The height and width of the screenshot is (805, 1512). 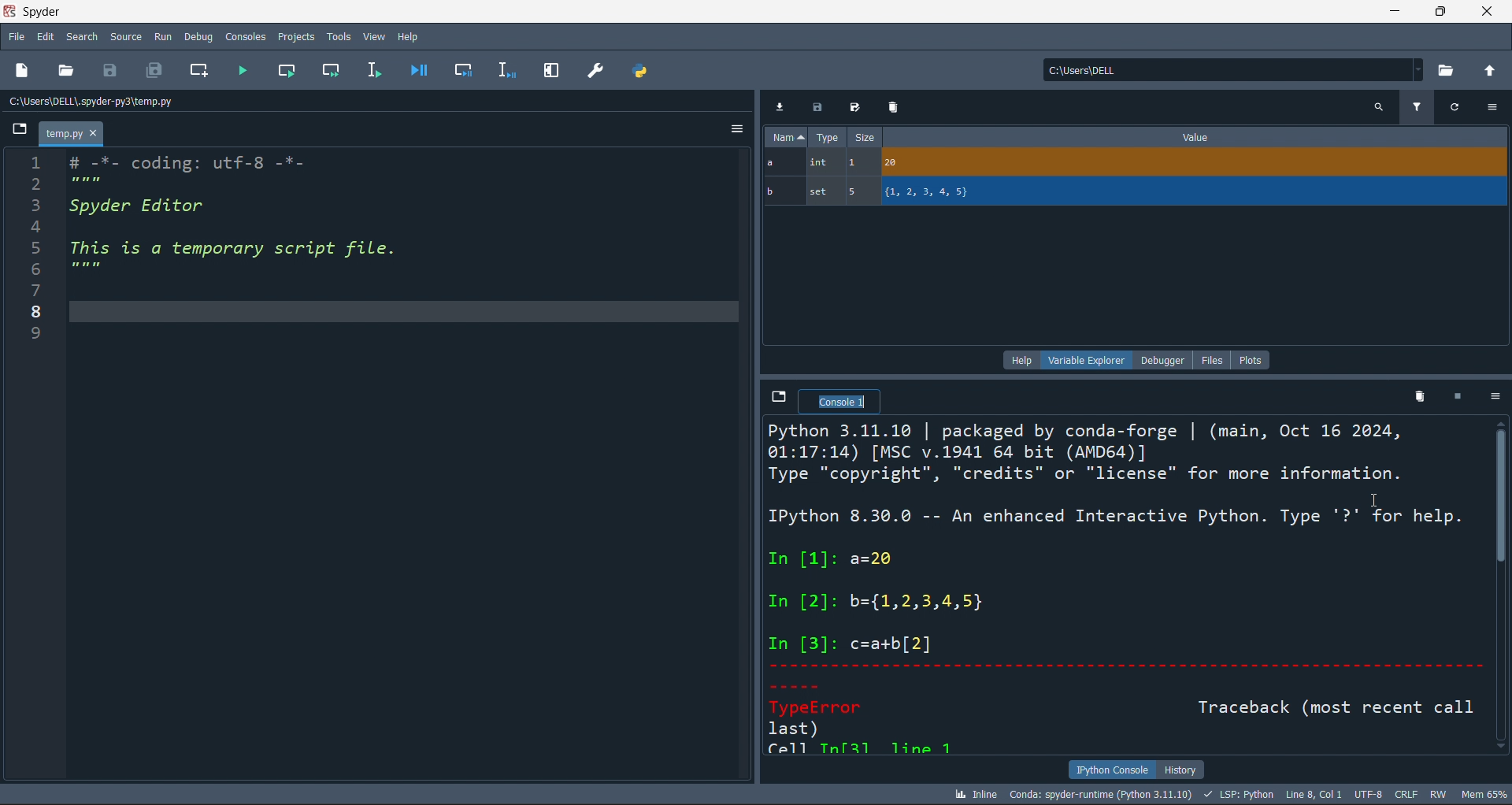 What do you see at coordinates (1108, 770) in the screenshot?
I see `ipython console` at bounding box center [1108, 770].